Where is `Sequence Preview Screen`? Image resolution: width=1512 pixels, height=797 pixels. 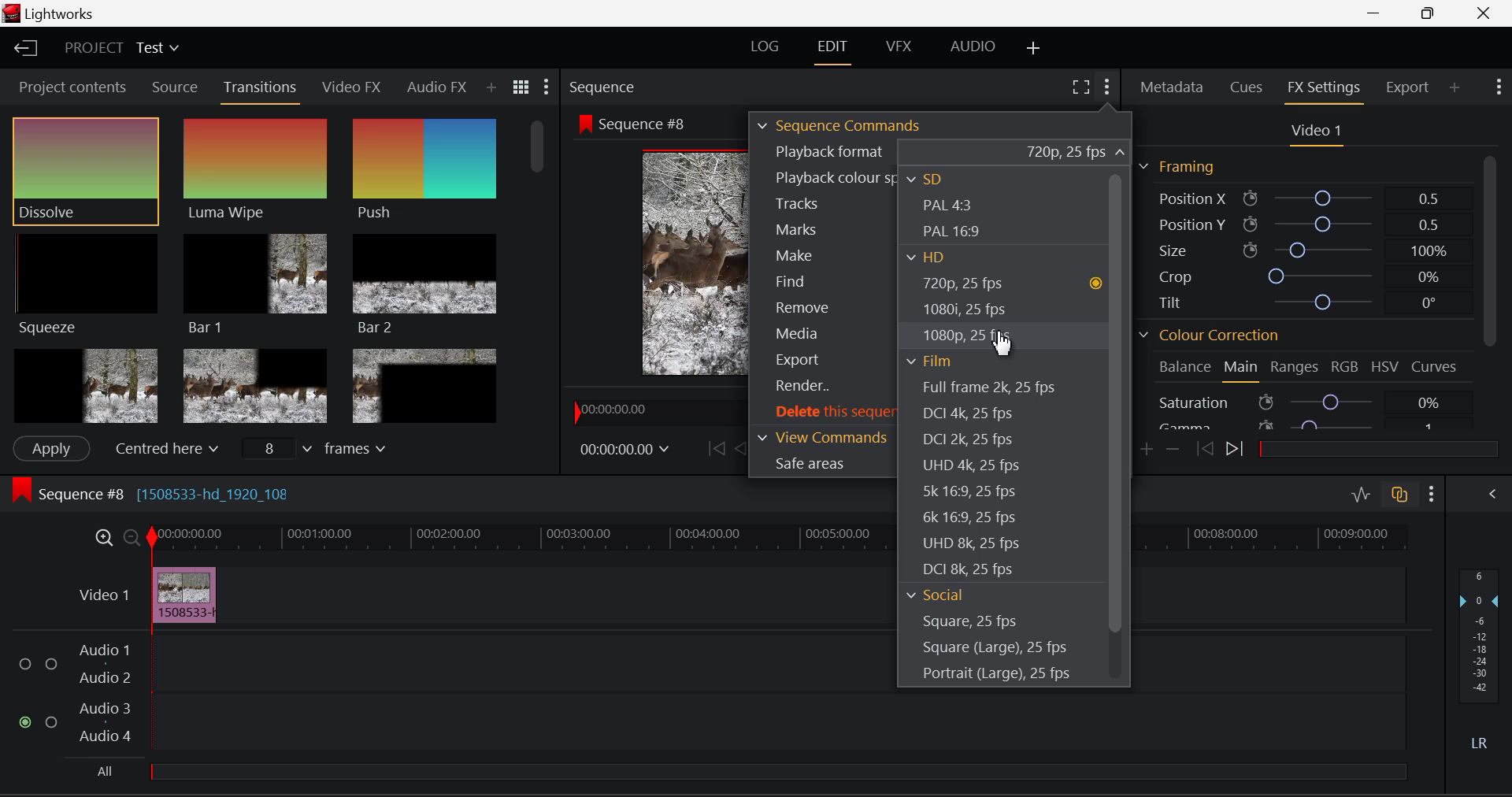 Sequence Preview Screen is located at coordinates (657, 263).